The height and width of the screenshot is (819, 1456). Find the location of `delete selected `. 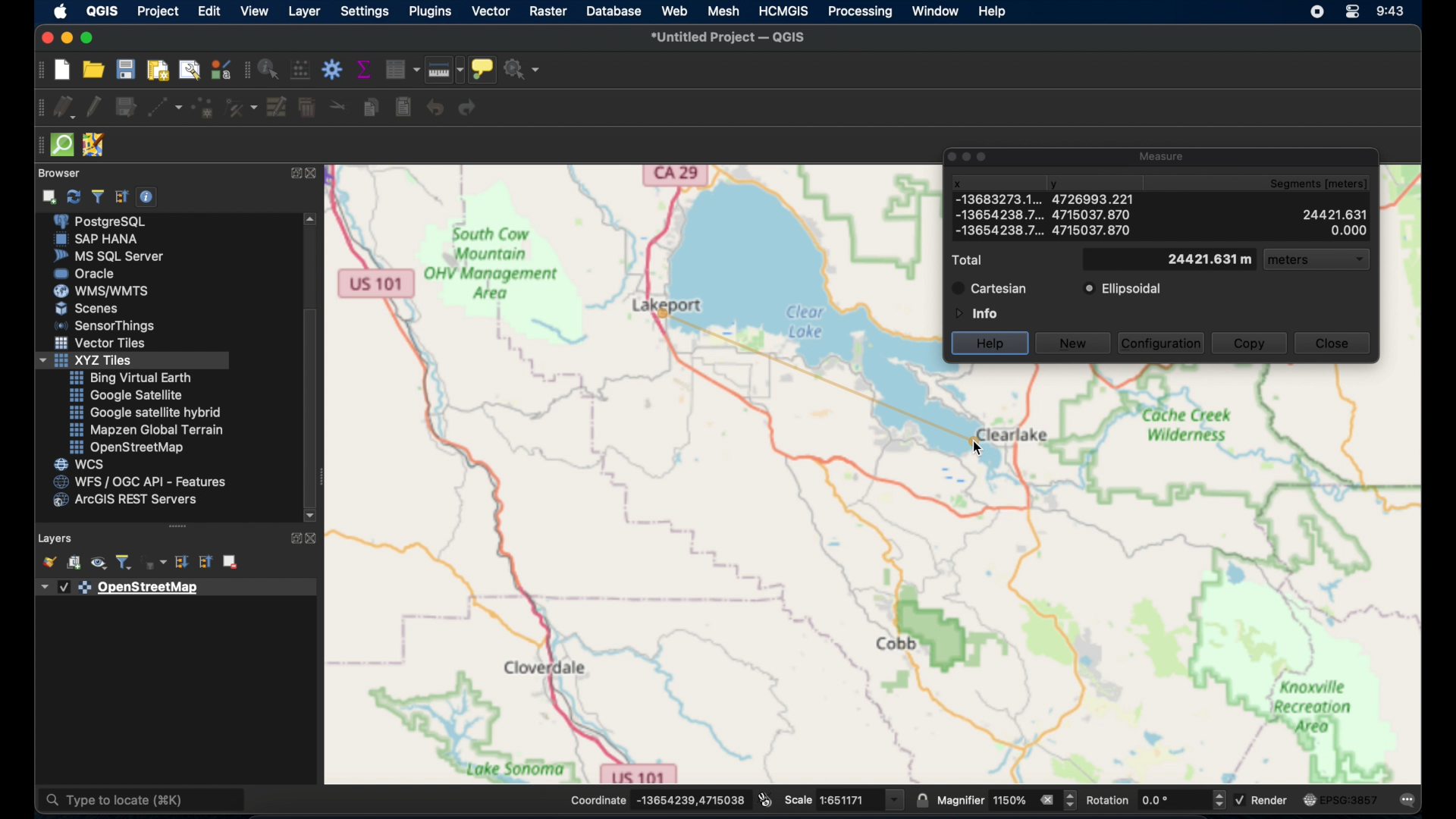

delete selected  is located at coordinates (306, 108).